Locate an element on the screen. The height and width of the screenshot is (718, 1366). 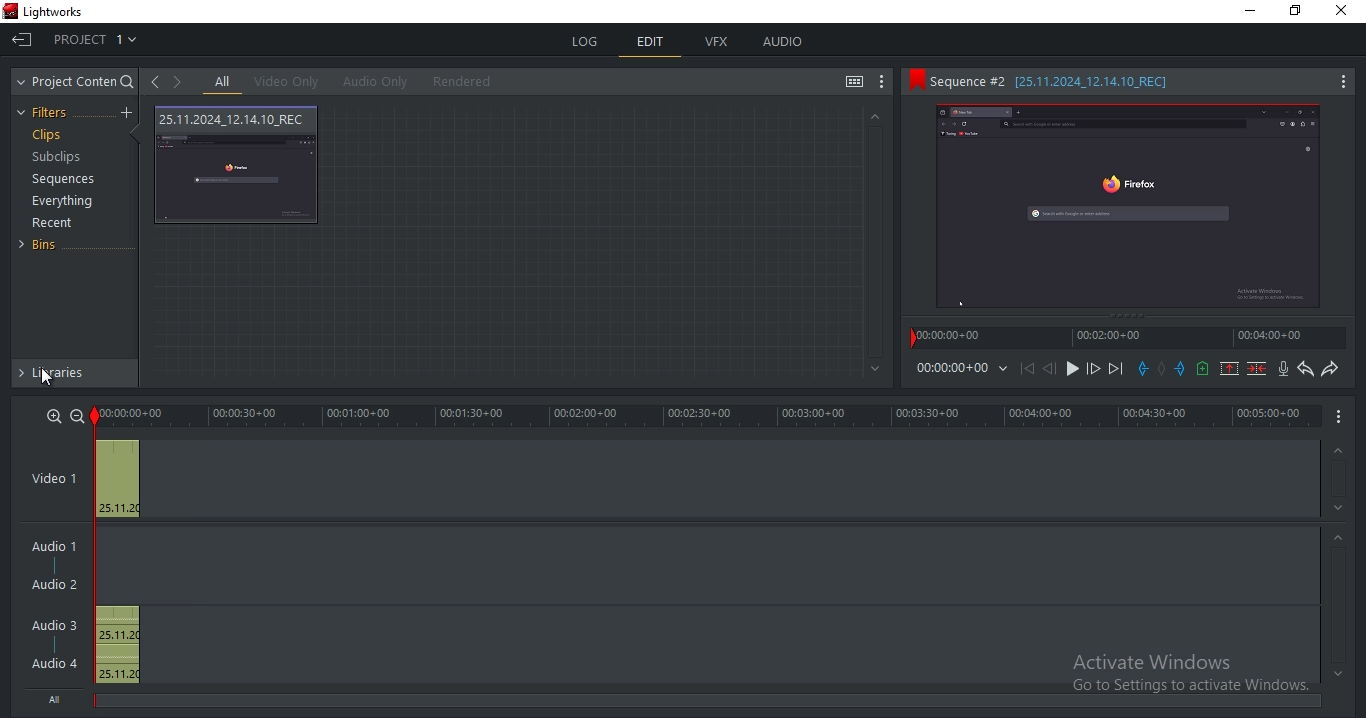
nudge one frame forward is located at coordinates (1092, 369).